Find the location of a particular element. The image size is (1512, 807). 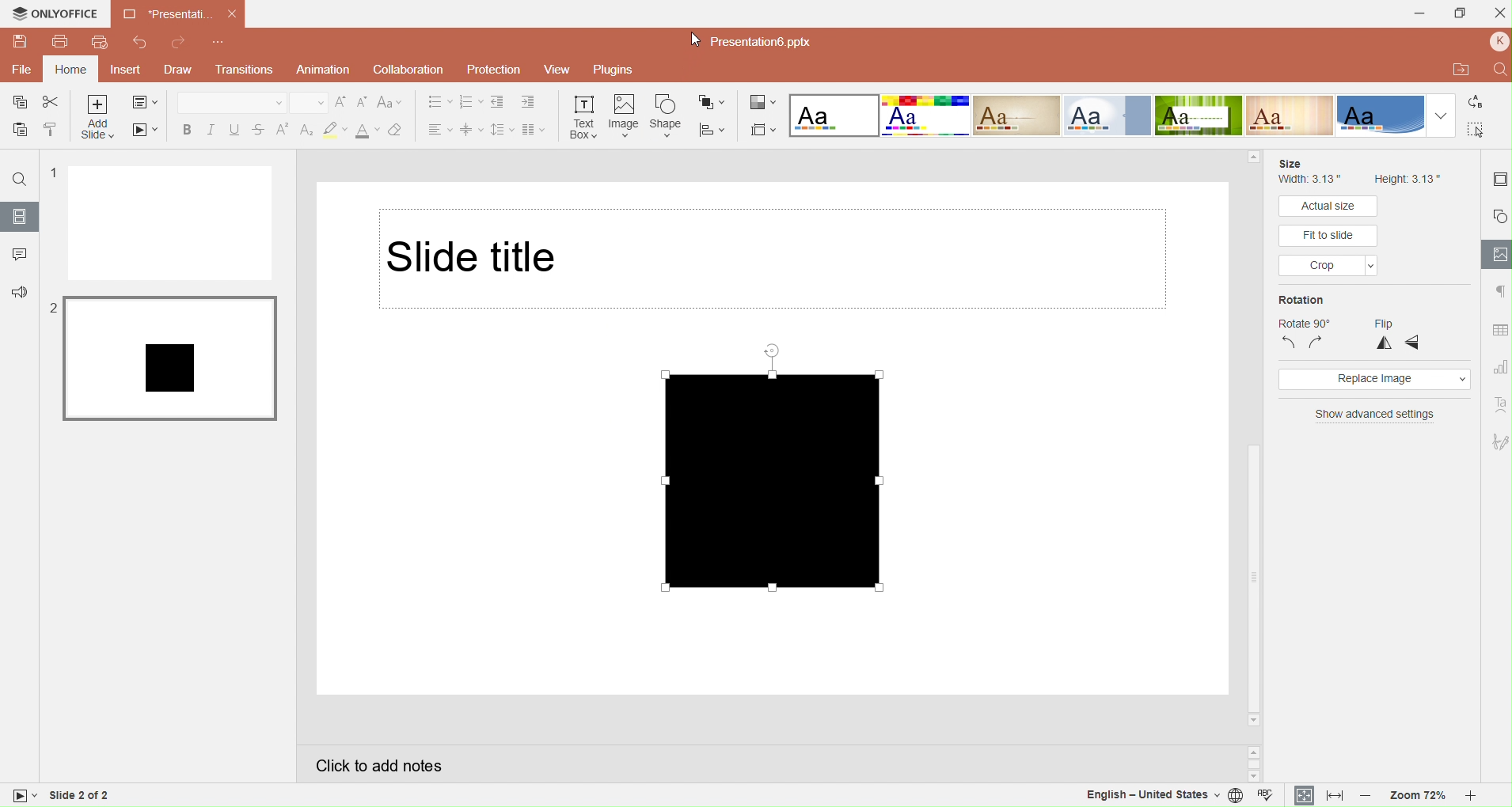

Office is located at coordinates (1380, 116).